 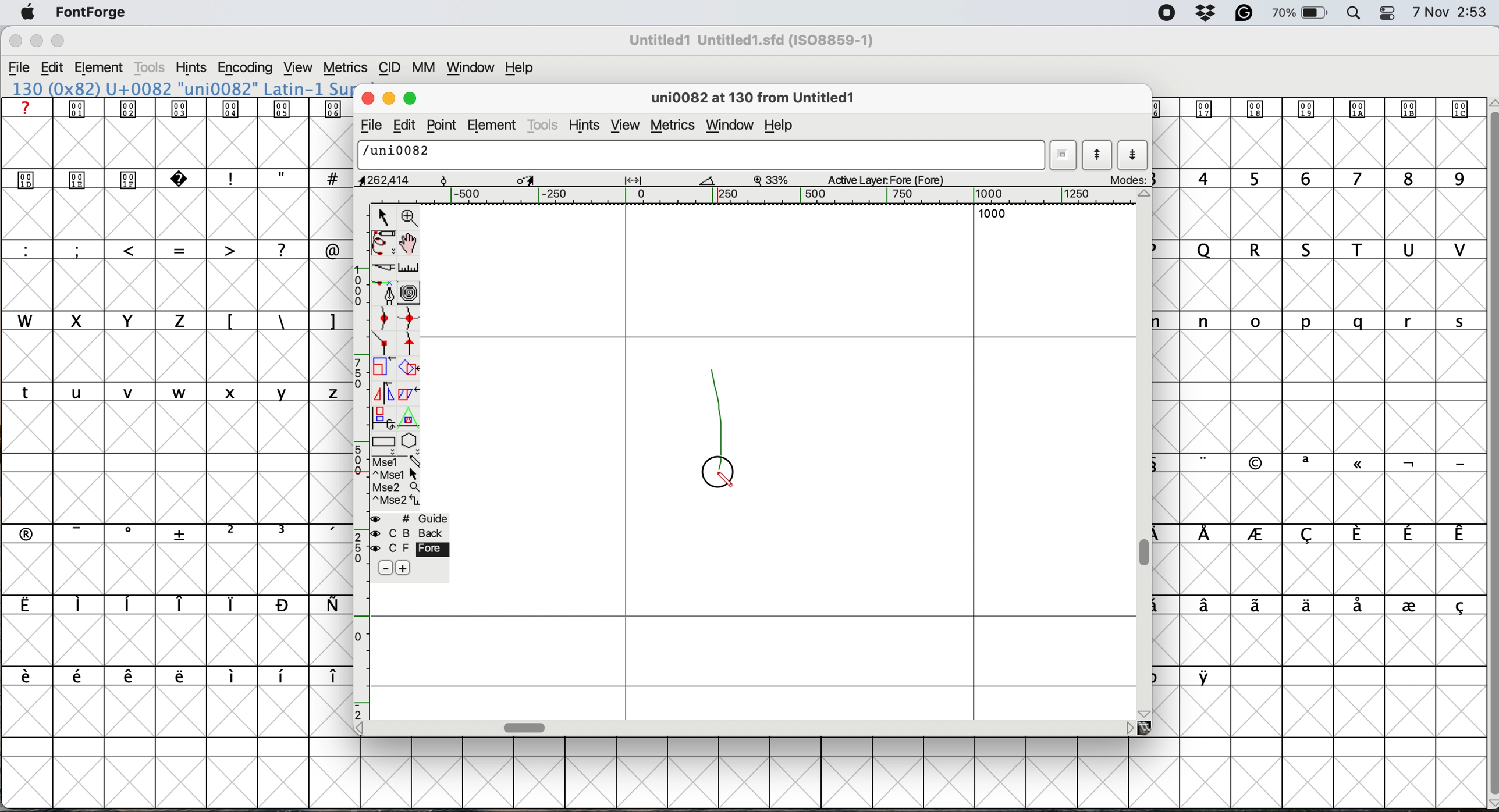 What do you see at coordinates (385, 444) in the screenshot?
I see `rectangle or box` at bounding box center [385, 444].